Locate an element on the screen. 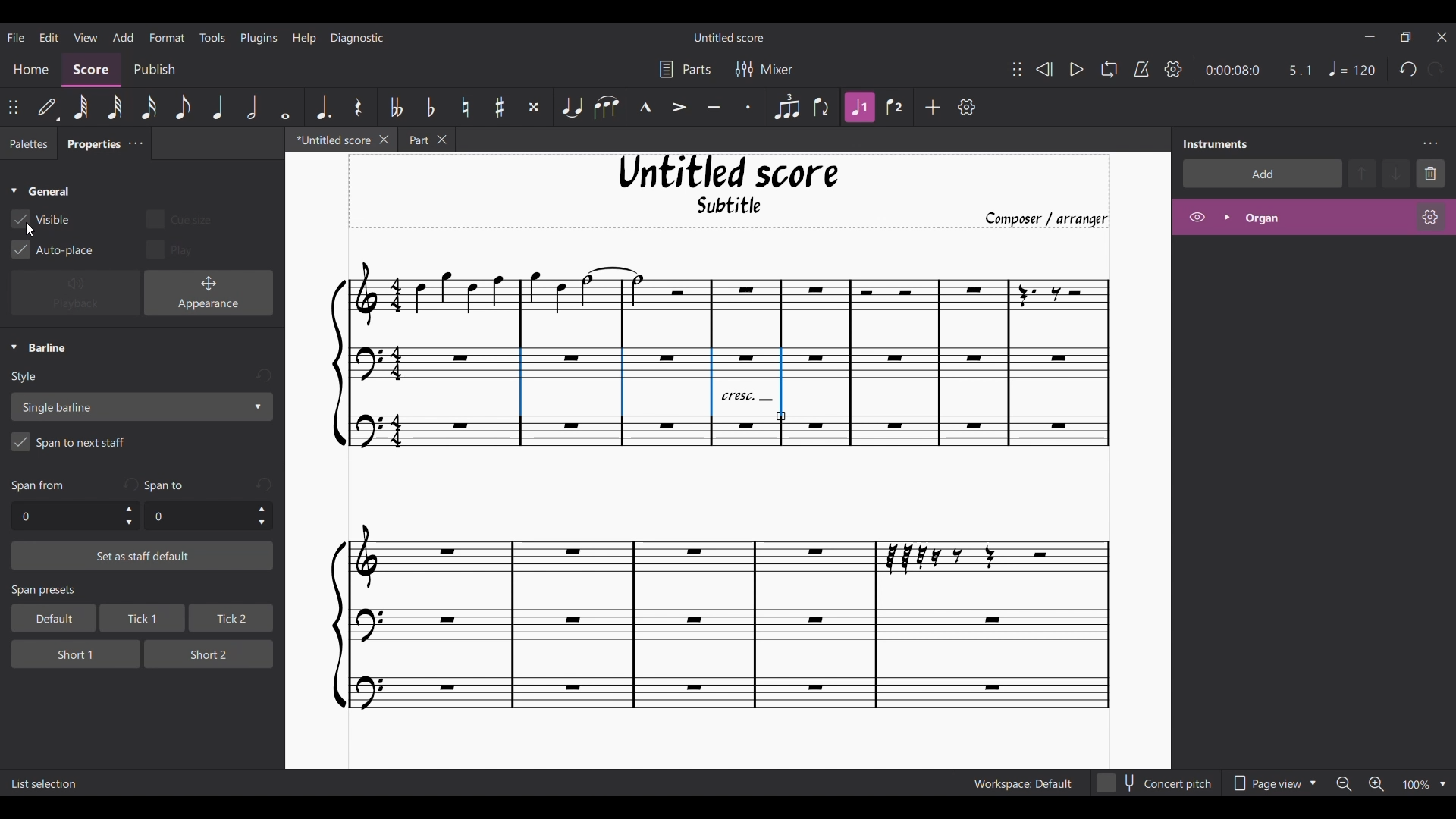 The image size is (1456, 819). Slur is located at coordinates (606, 107).